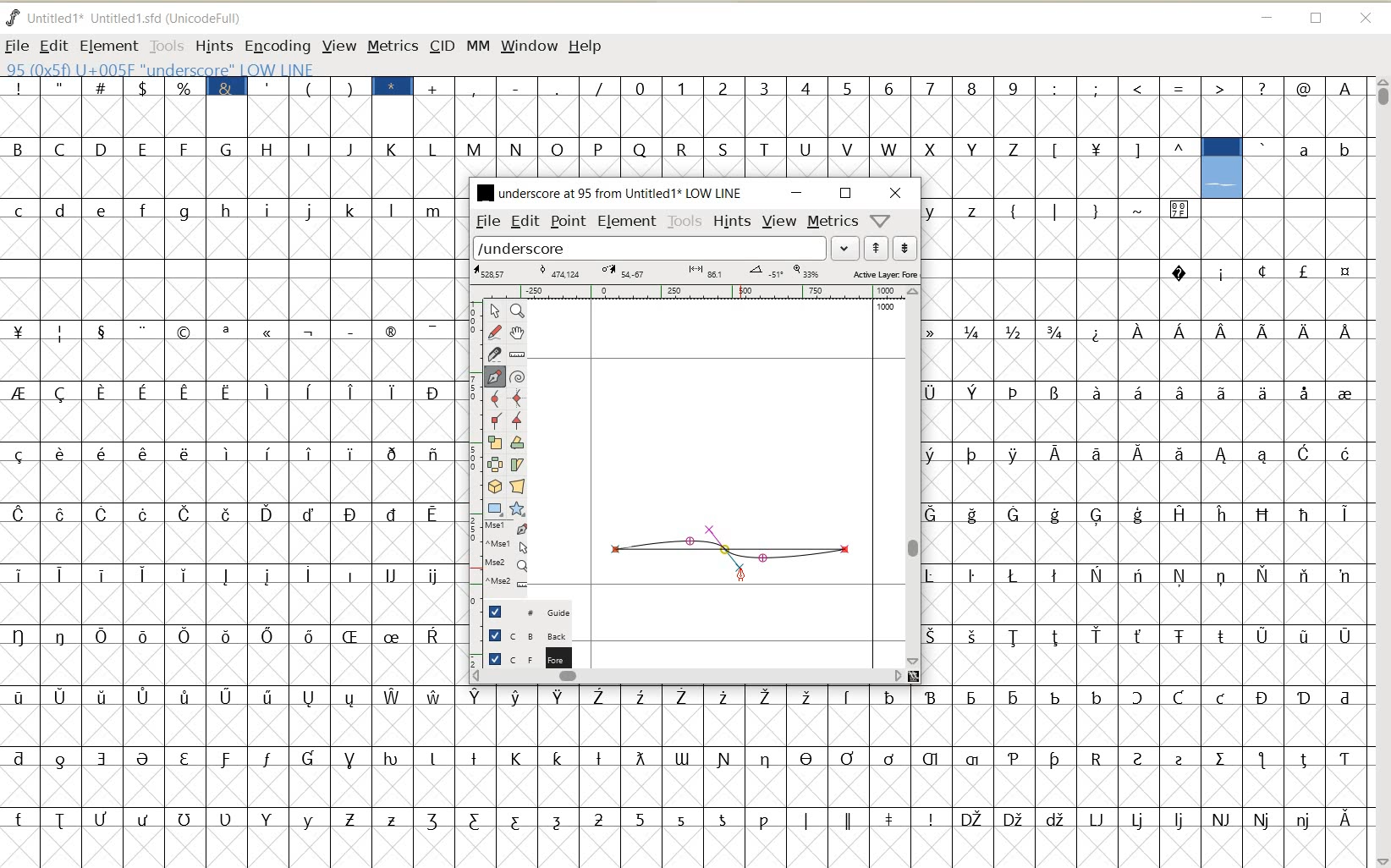 This screenshot has width=1391, height=868. What do you see at coordinates (138, 18) in the screenshot?
I see `FONT NAME` at bounding box center [138, 18].